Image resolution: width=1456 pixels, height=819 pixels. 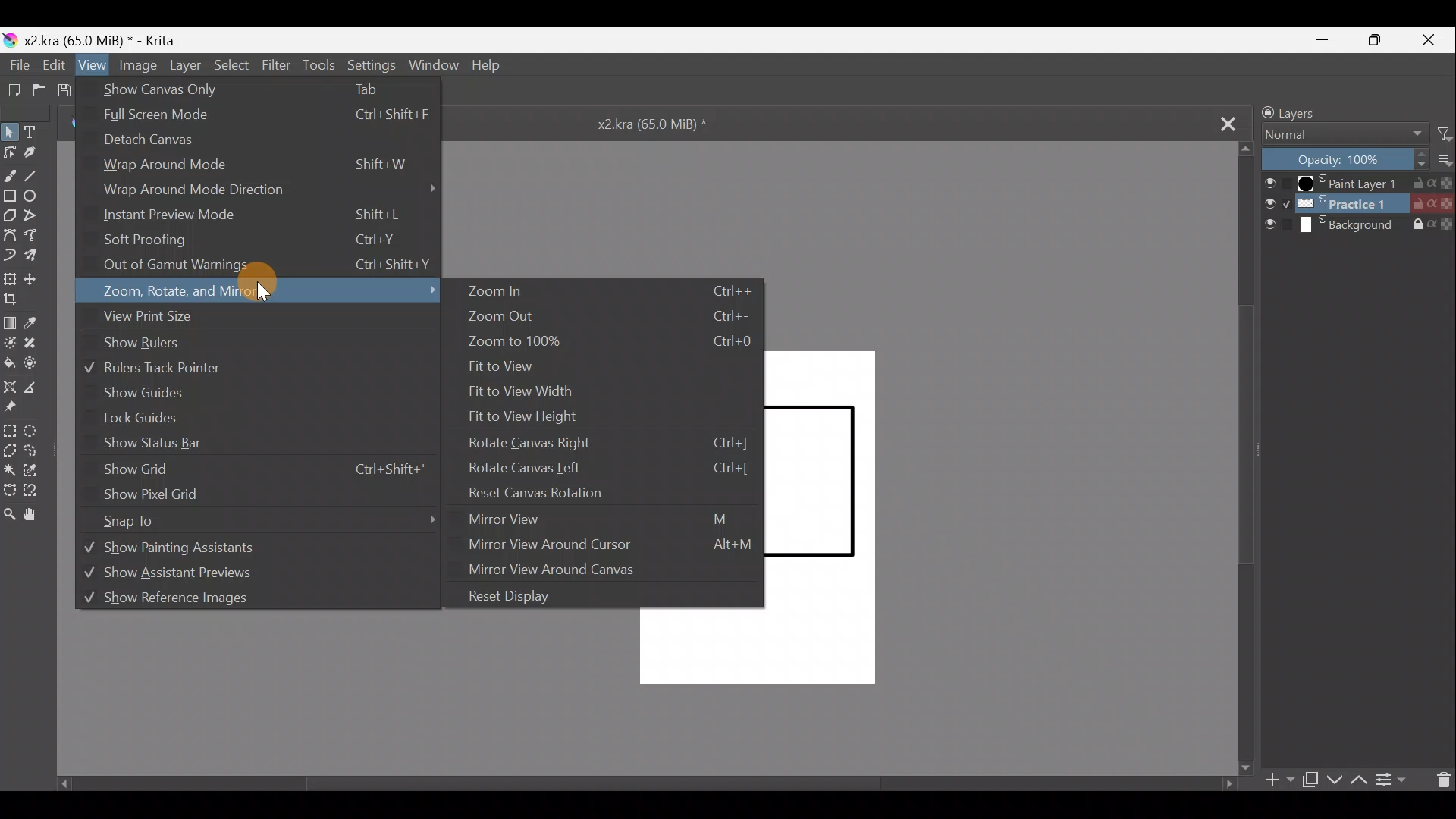 What do you see at coordinates (38, 431) in the screenshot?
I see `Elliptical selection tool` at bounding box center [38, 431].